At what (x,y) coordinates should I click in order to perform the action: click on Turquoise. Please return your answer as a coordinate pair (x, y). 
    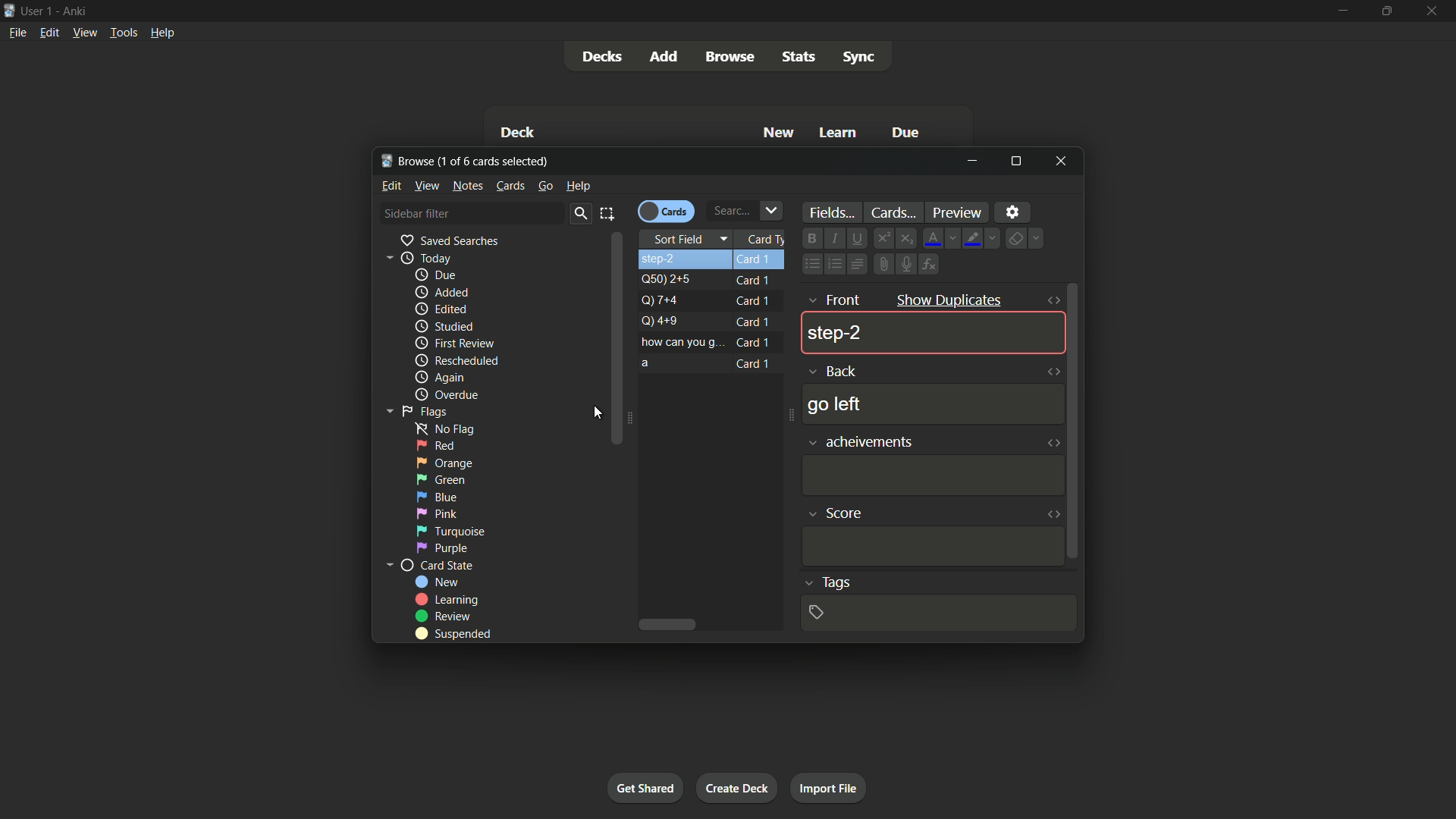
    Looking at the image, I should click on (449, 531).